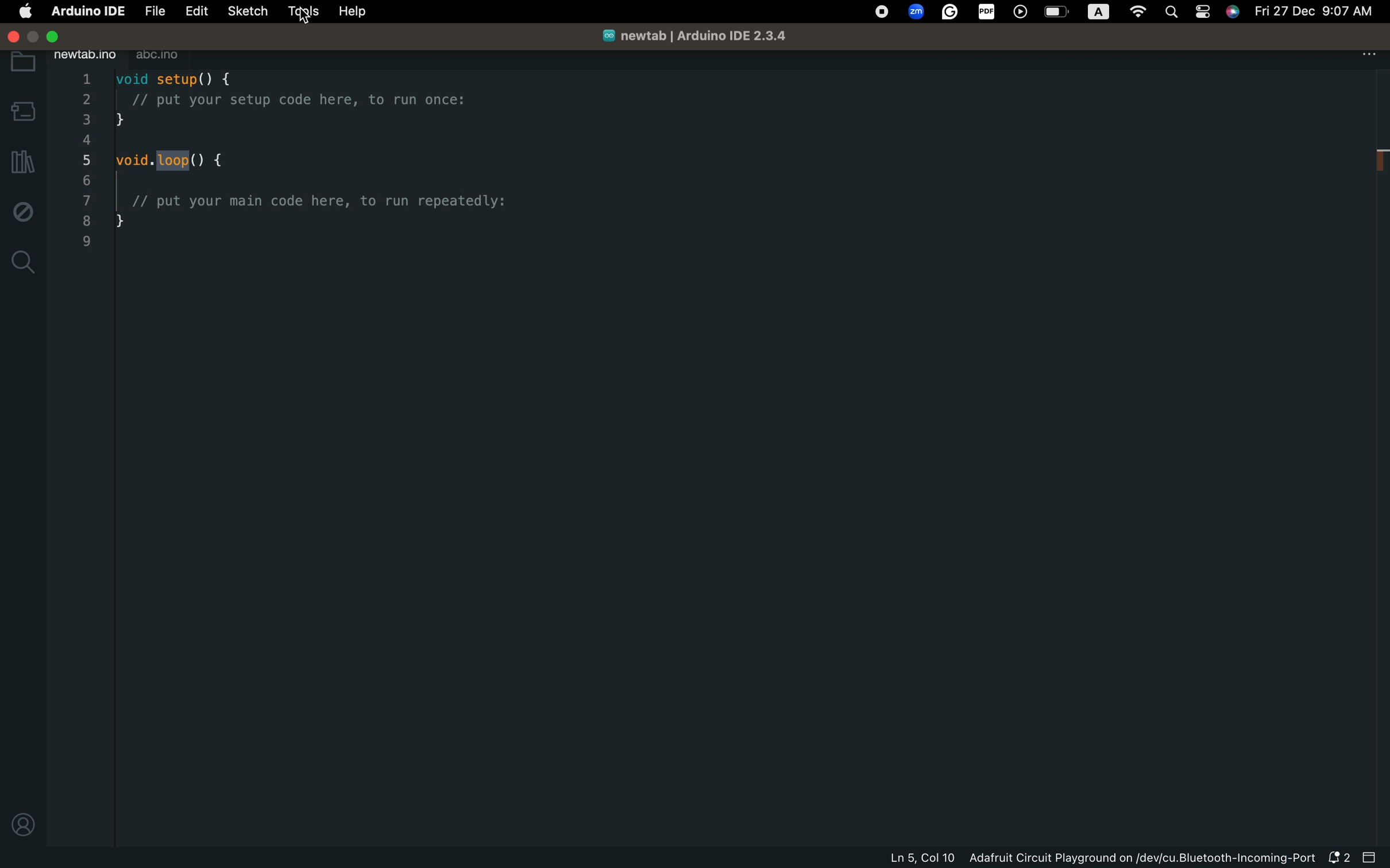  I want to click on OS control, so click(1050, 13).